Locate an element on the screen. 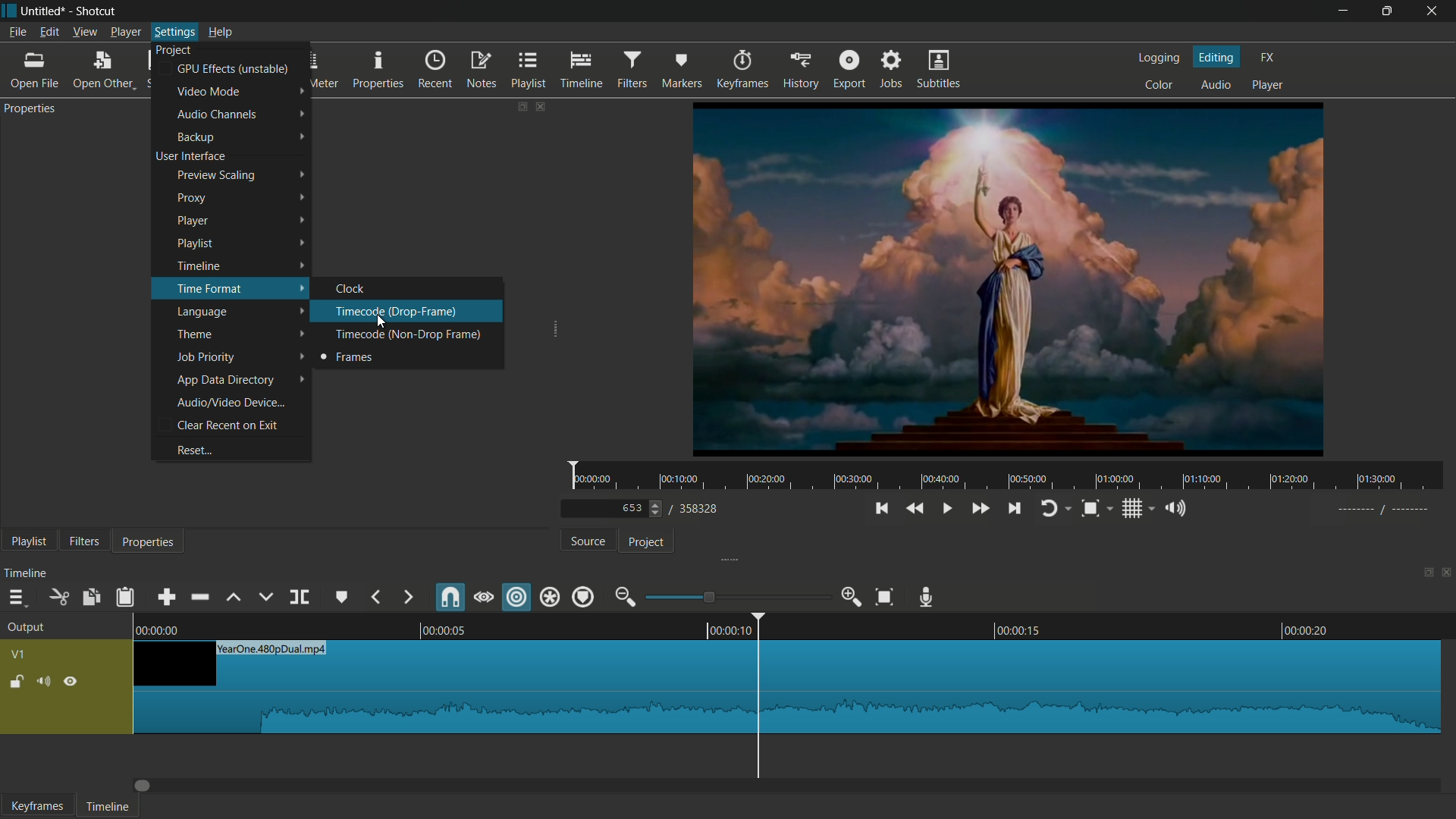  app data directory is located at coordinates (224, 379).